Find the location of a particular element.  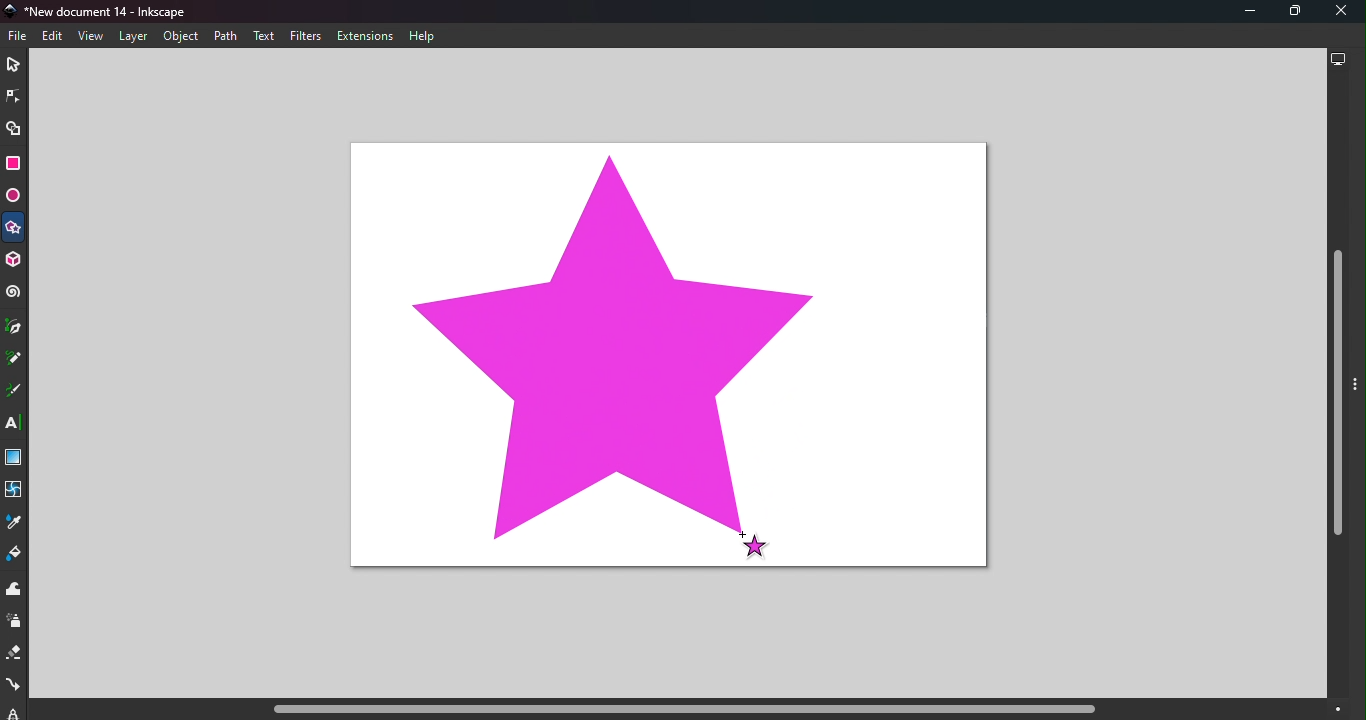

Filters is located at coordinates (306, 36).